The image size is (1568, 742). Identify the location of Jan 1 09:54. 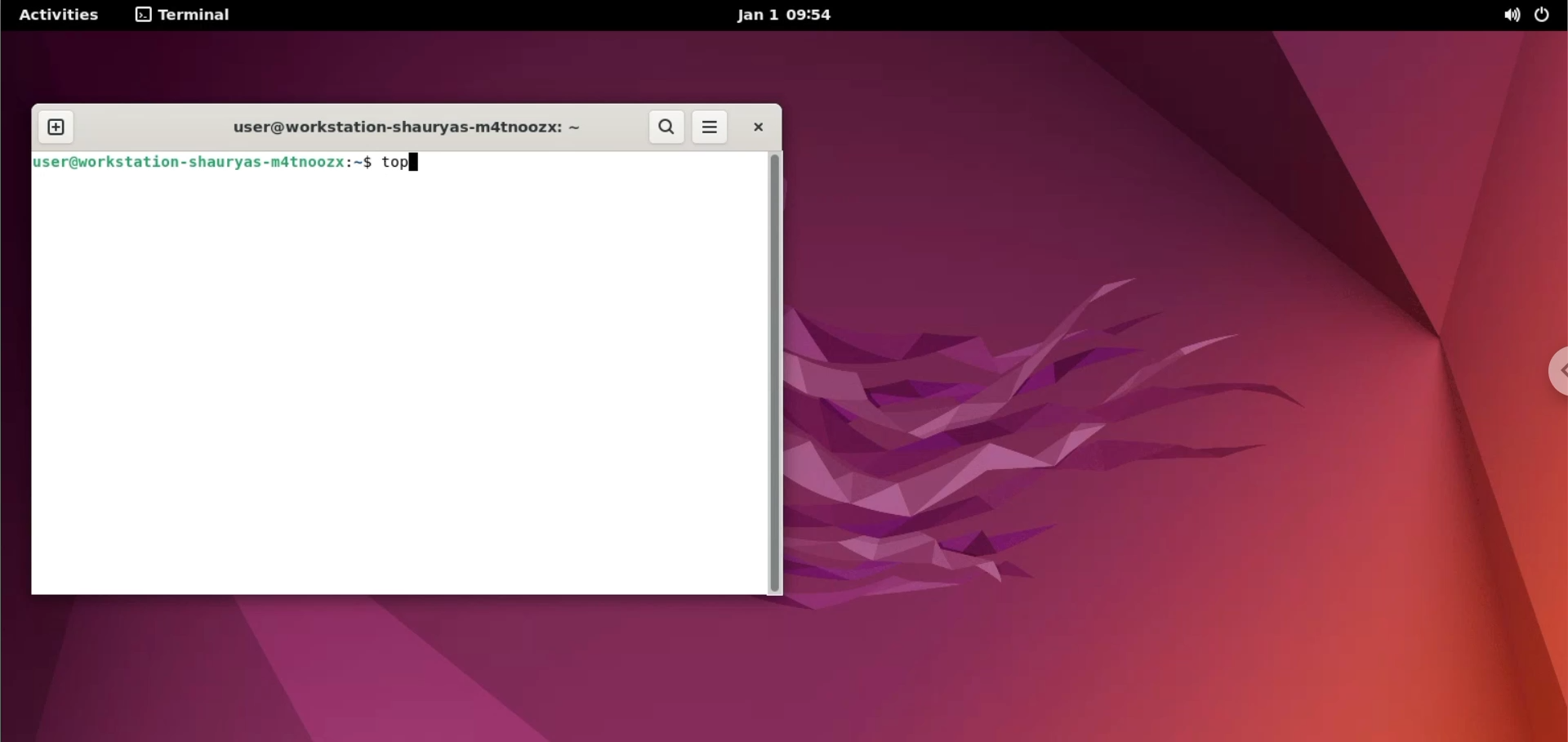
(784, 14).